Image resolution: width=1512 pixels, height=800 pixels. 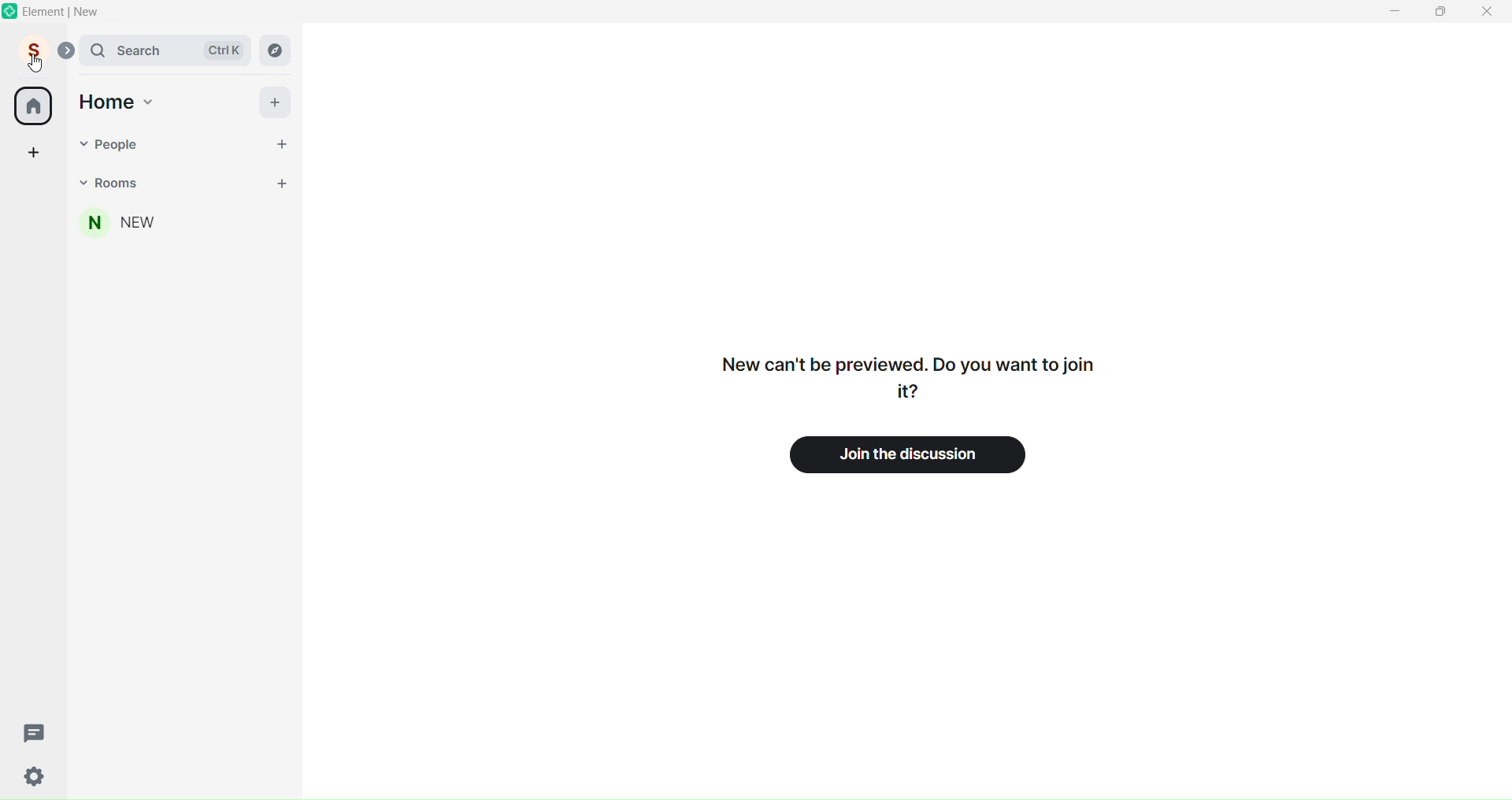 What do you see at coordinates (917, 454) in the screenshot?
I see `Join the discussion` at bounding box center [917, 454].